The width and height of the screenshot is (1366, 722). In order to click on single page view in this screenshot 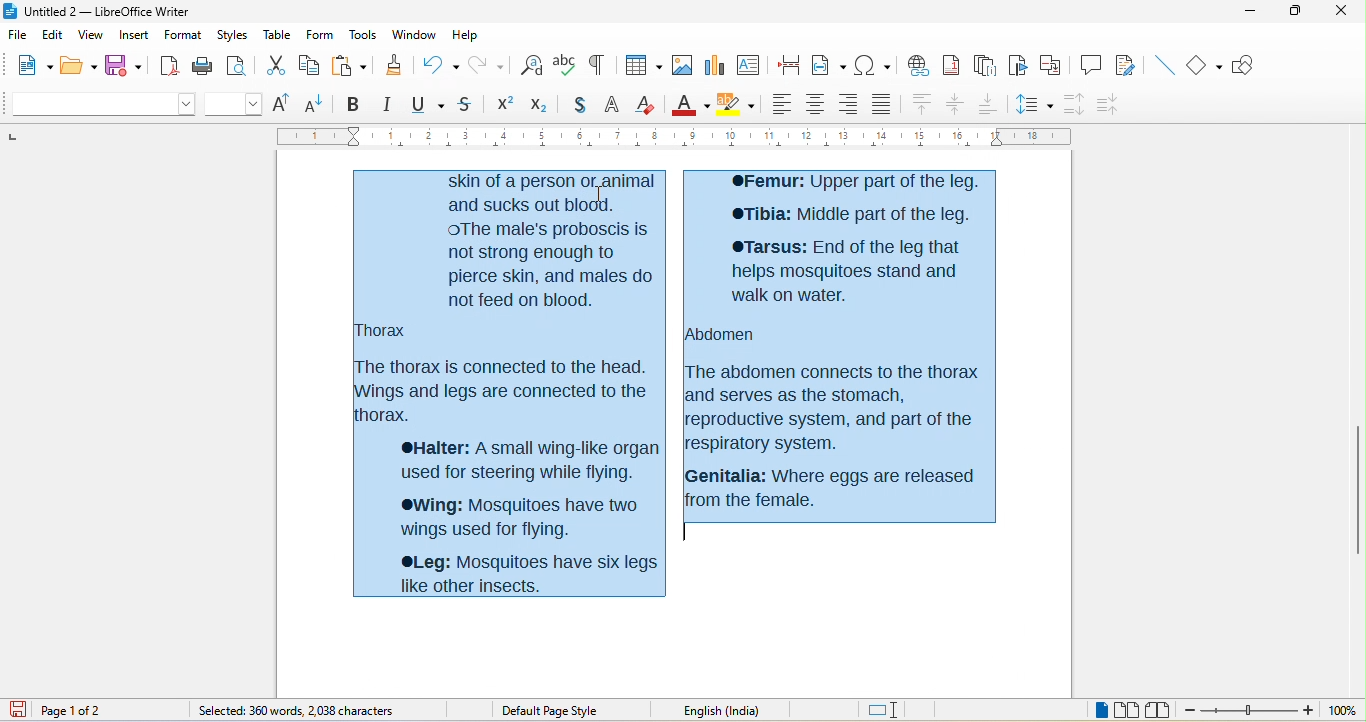, I will do `click(1102, 710)`.